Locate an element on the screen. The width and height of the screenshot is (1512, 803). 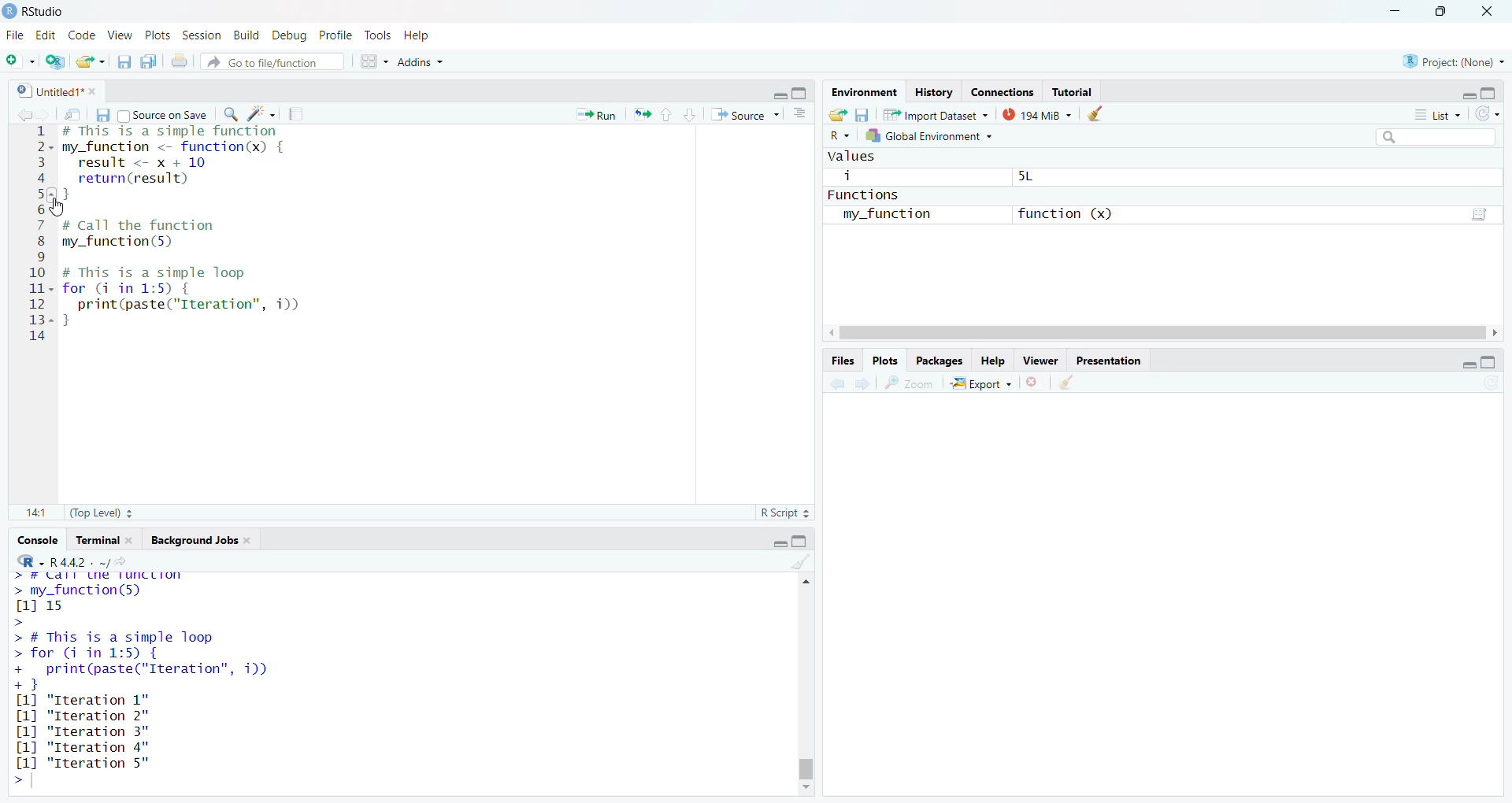
minimize is located at coordinates (776, 94).